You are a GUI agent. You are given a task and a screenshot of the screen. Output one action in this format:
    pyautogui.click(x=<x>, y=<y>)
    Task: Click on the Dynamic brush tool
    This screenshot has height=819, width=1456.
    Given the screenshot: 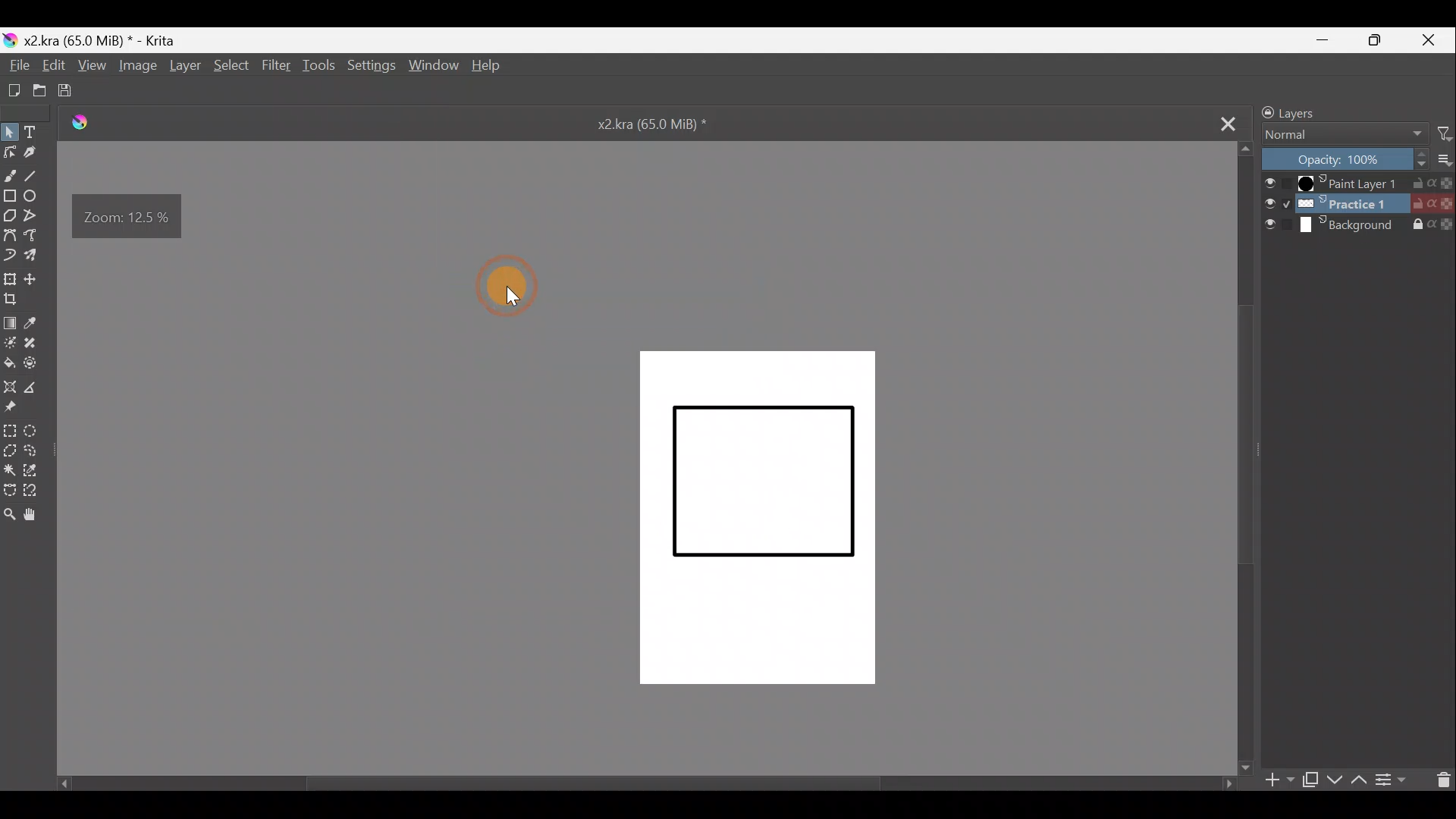 What is the action you would take?
    pyautogui.click(x=11, y=255)
    